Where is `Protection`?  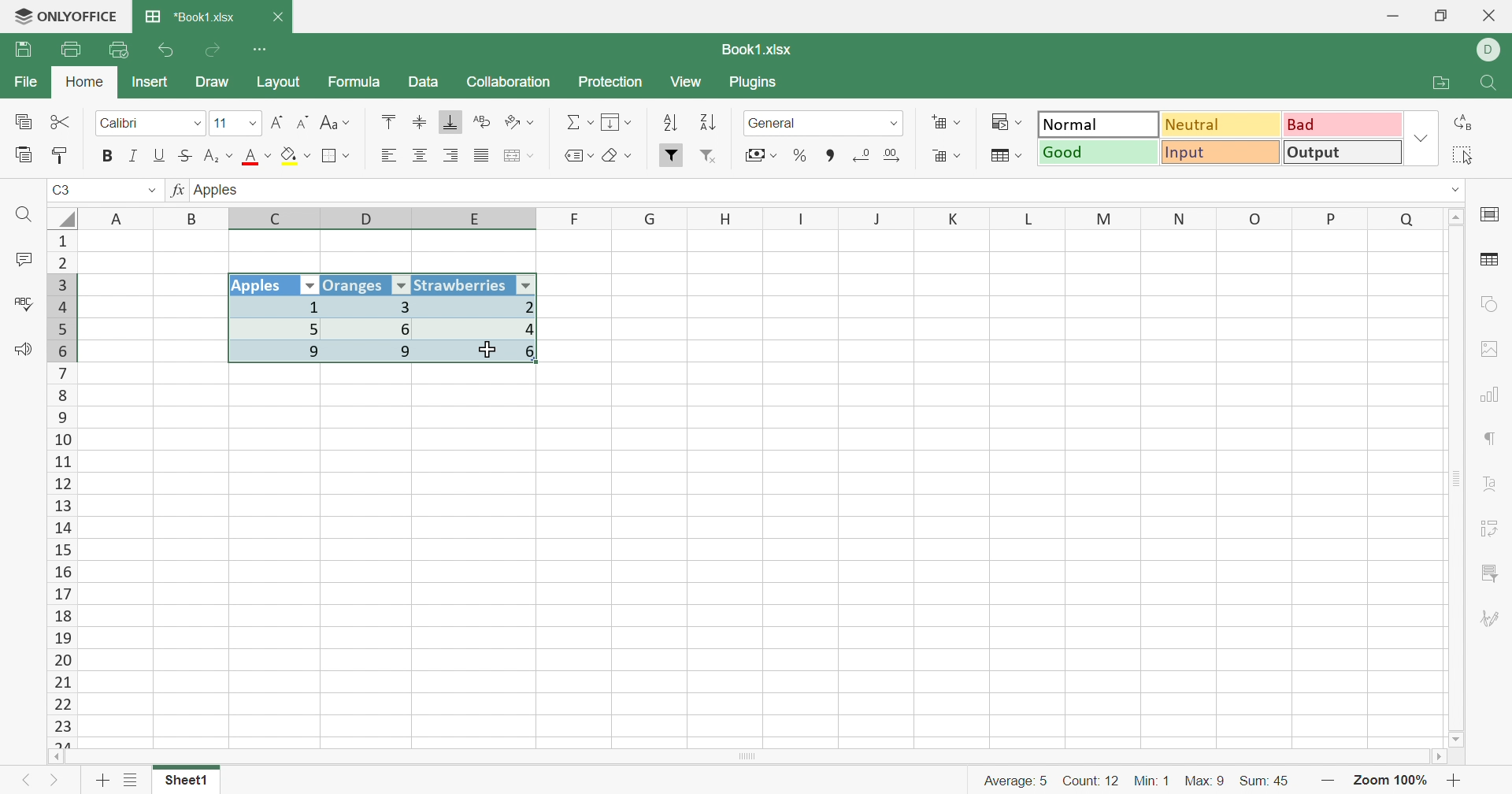
Protection is located at coordinates (612, 83).